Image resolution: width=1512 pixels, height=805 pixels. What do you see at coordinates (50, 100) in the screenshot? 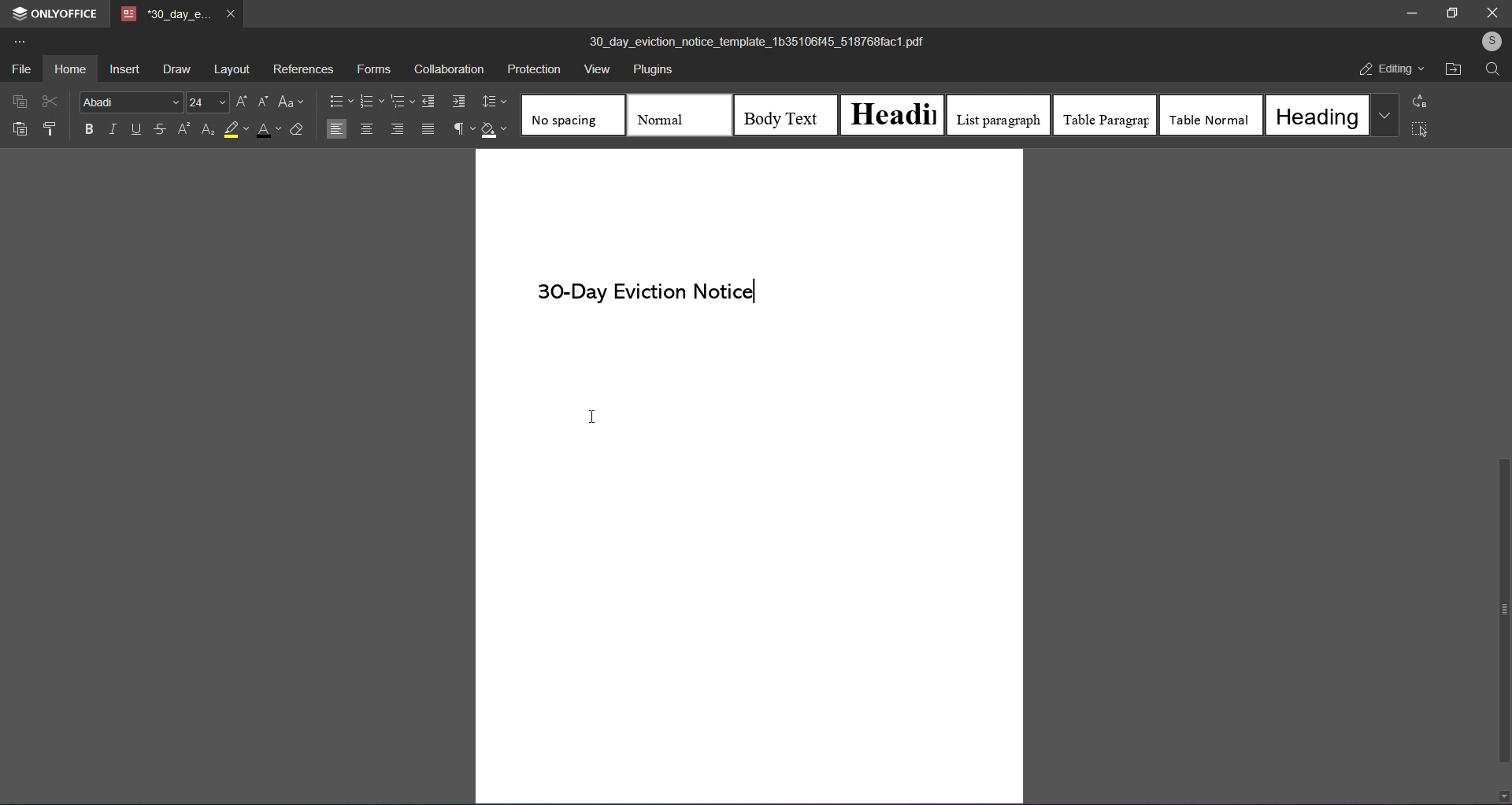
I see `cut` at bounding box center [50, 100].